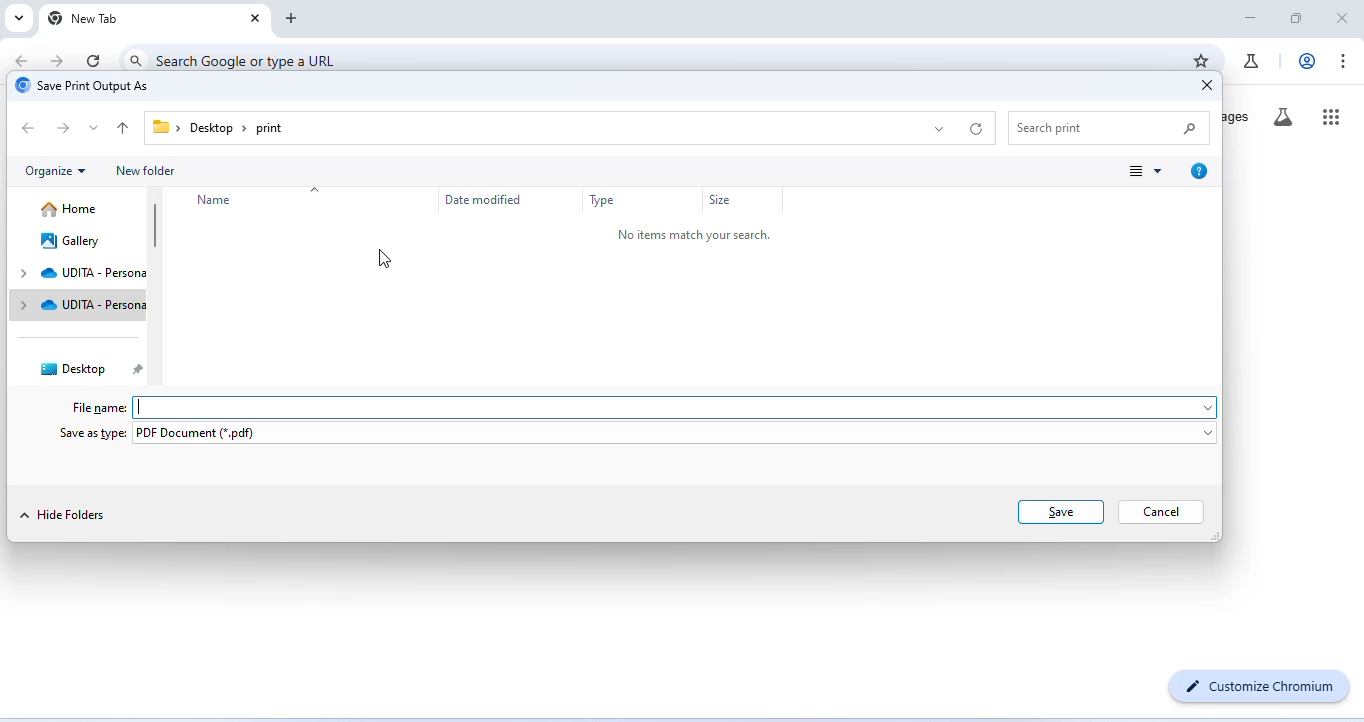 The height and width of the screenshot is (722, 1364). What do you see at coordinates (256, 19) in the screenshot?
I see `close tab` at bounding box center [256, 19].